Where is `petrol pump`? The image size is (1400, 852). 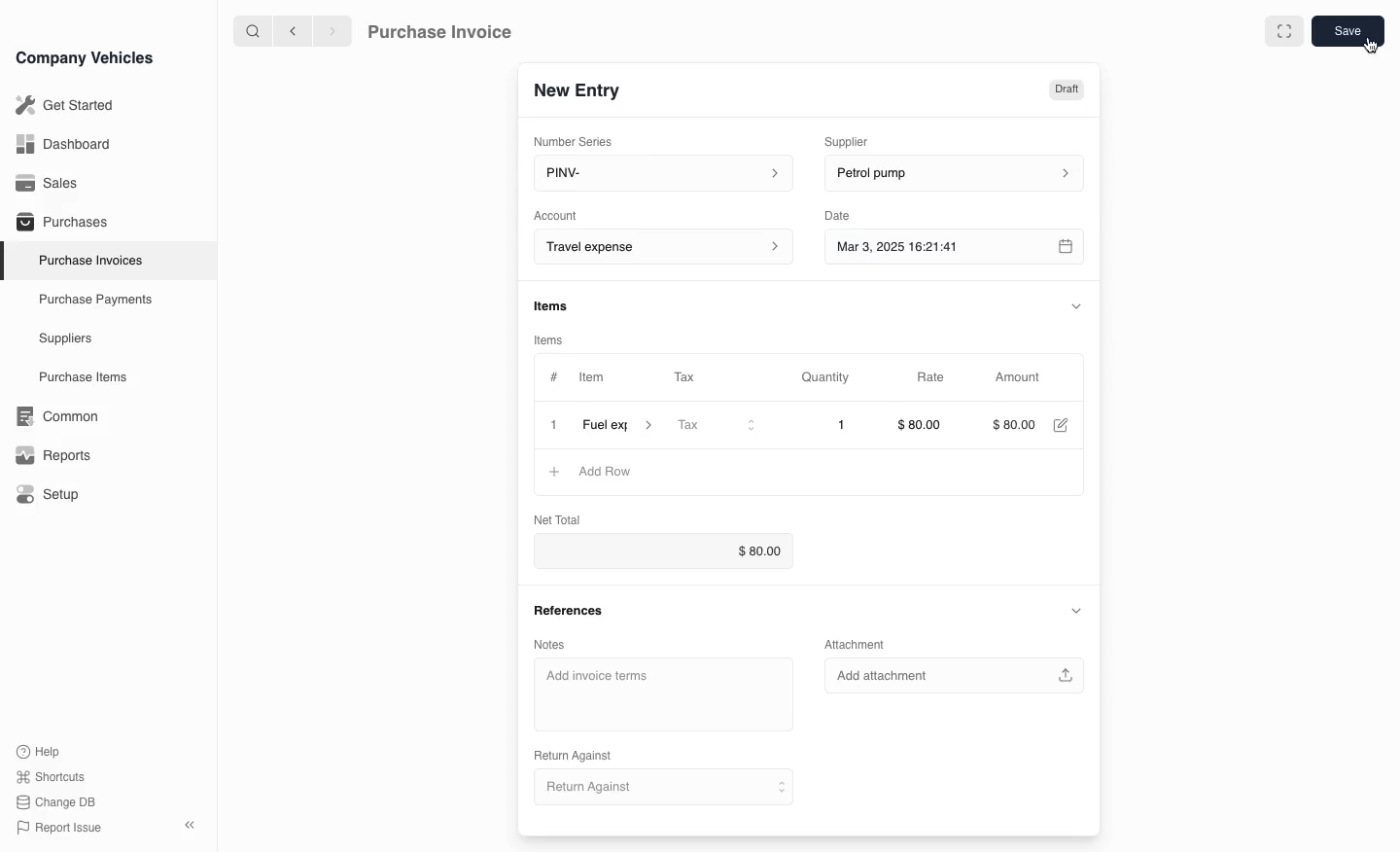
petrol pump is located at coordinates (951, 174).